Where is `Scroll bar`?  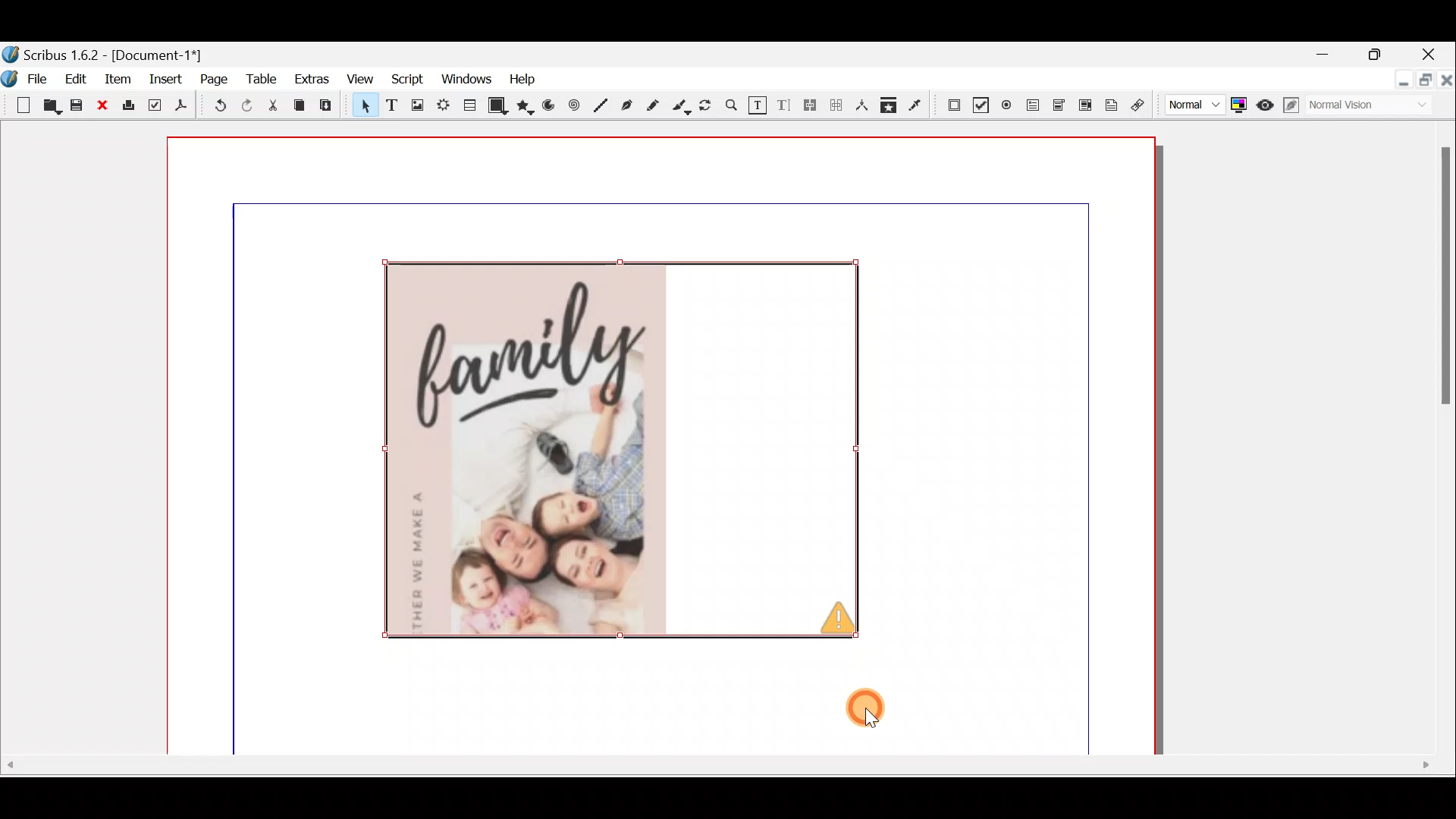 Scroll bar is located at coordinates (1439, 441).